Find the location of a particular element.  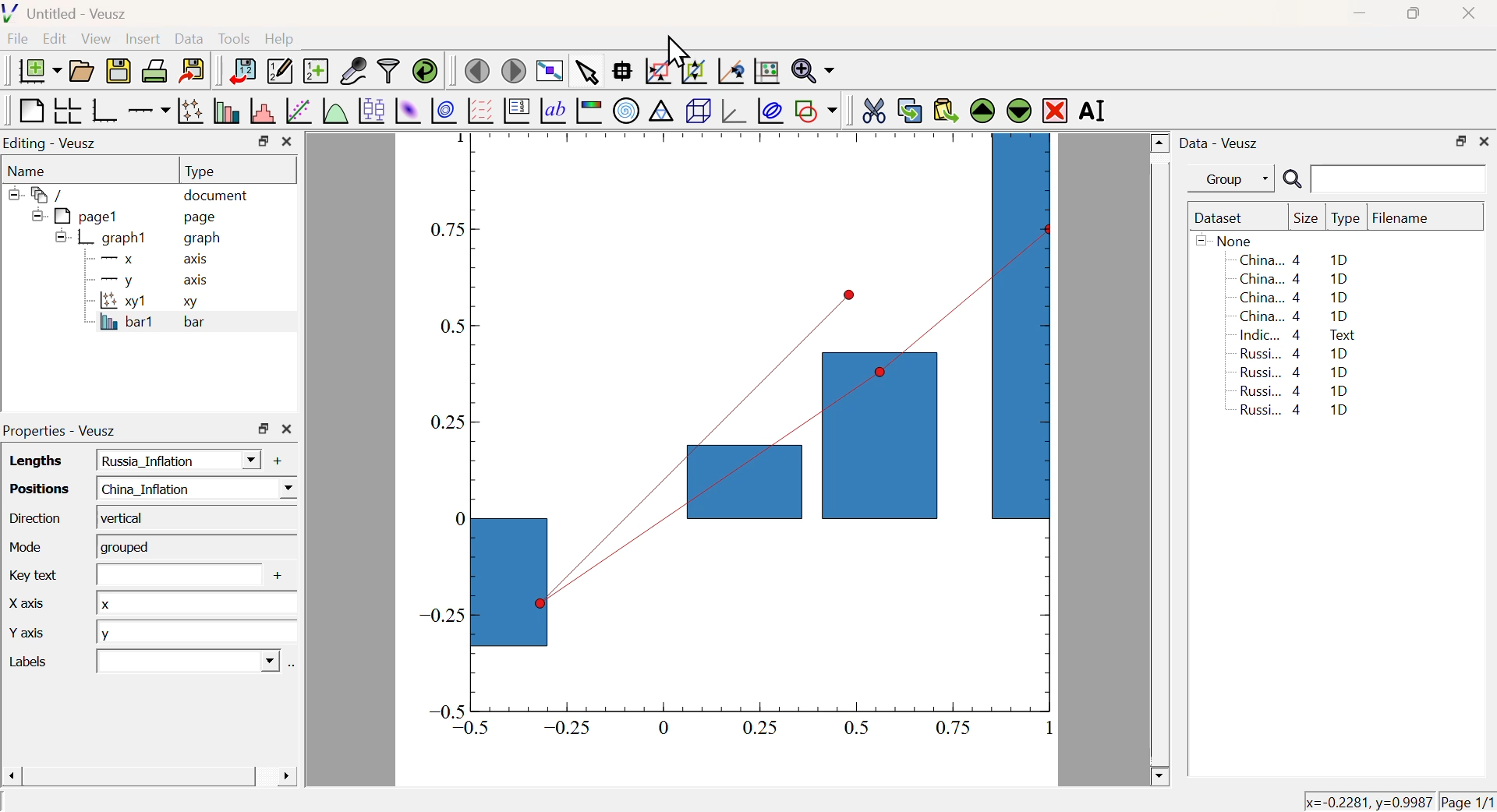

Search is located at coordinates (1292, 180).